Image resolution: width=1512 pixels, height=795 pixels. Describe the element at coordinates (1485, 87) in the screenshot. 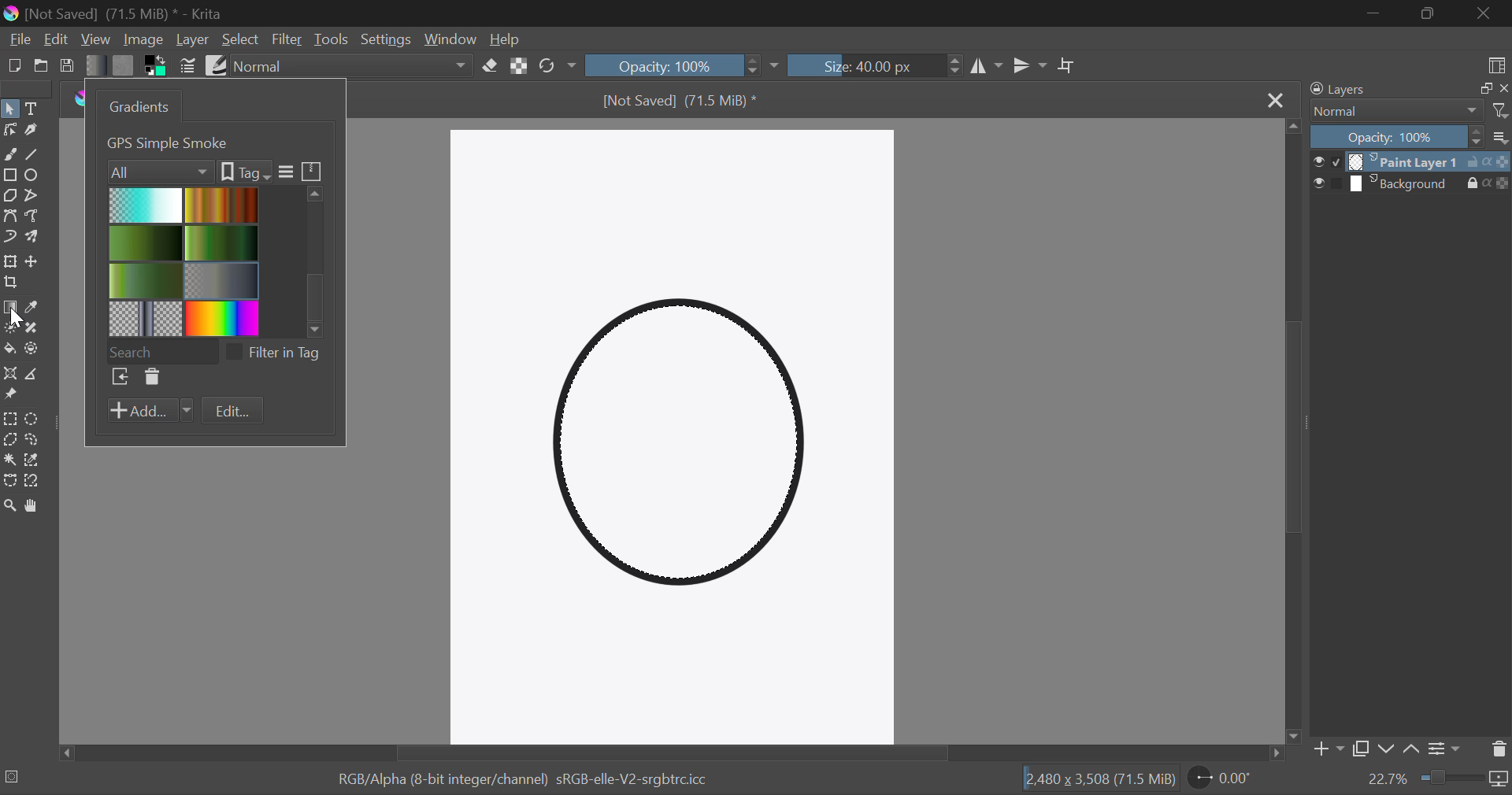

I see `copy` at that location.